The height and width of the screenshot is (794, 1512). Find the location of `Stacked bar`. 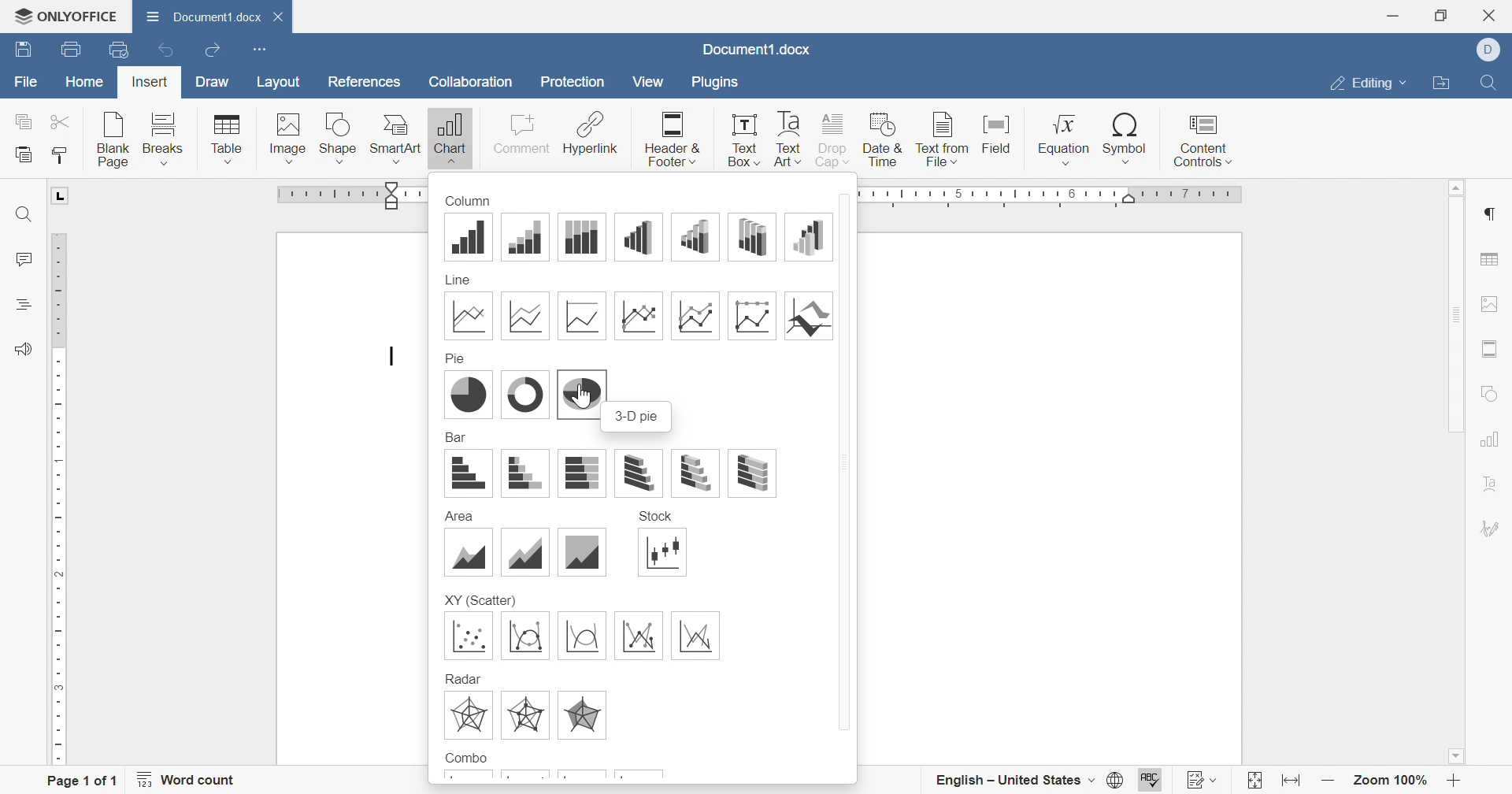

Stacked bar is located at coordinates (525, 473).